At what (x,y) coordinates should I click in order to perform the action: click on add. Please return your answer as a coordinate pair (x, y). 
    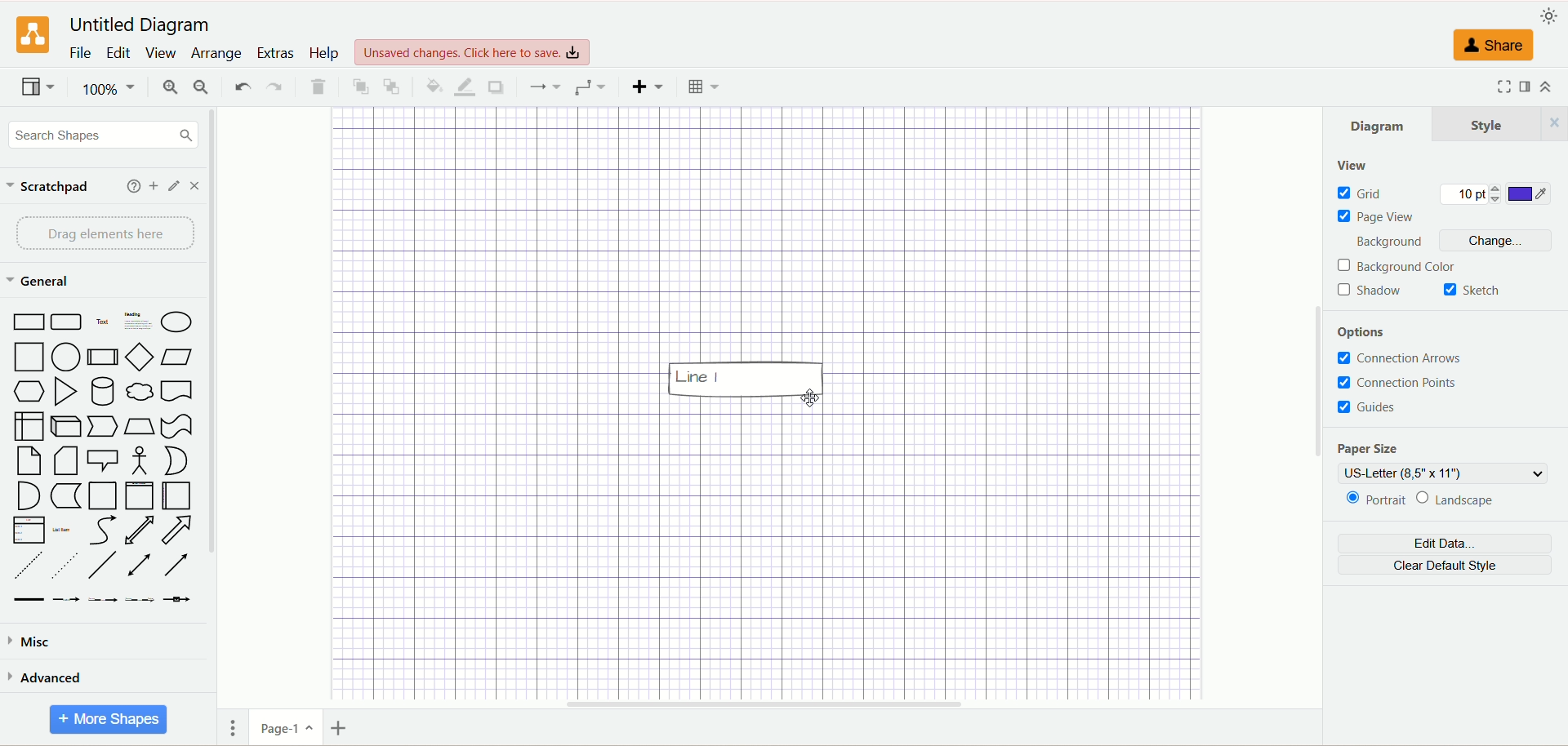
    Looking at the image, I should click on (130, 186).